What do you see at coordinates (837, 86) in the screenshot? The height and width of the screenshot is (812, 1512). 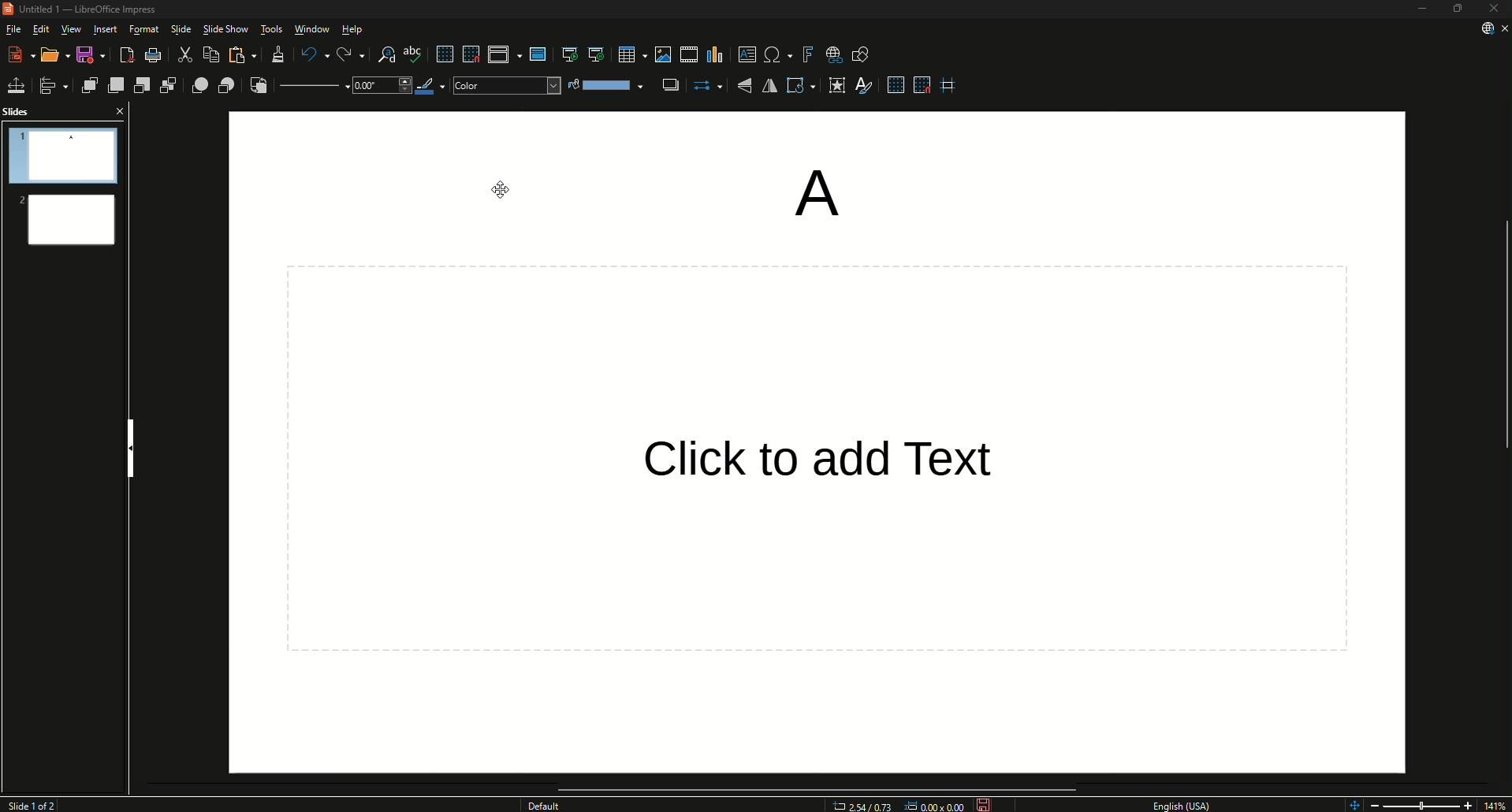 I see `Interaction` at bounding box center [837, 86].